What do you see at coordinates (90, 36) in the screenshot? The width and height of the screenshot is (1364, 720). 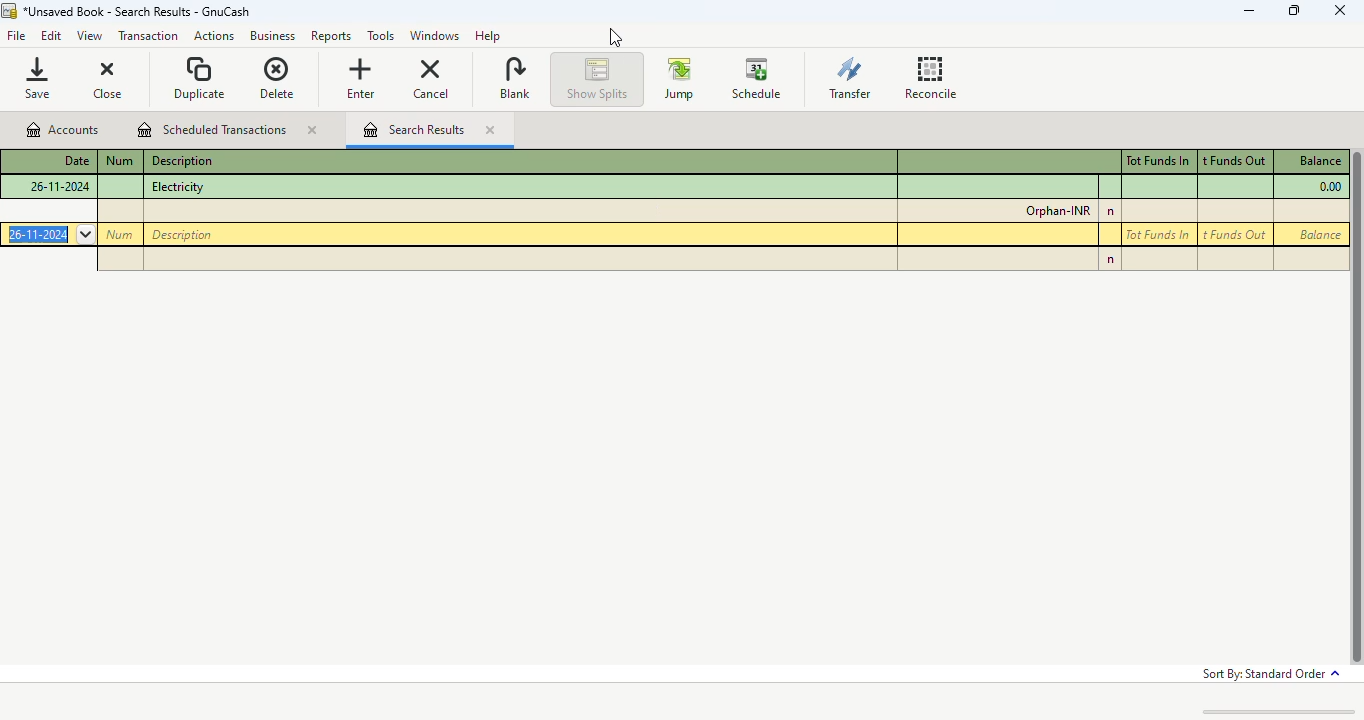 I see `view` at bounding box center [90, 36].